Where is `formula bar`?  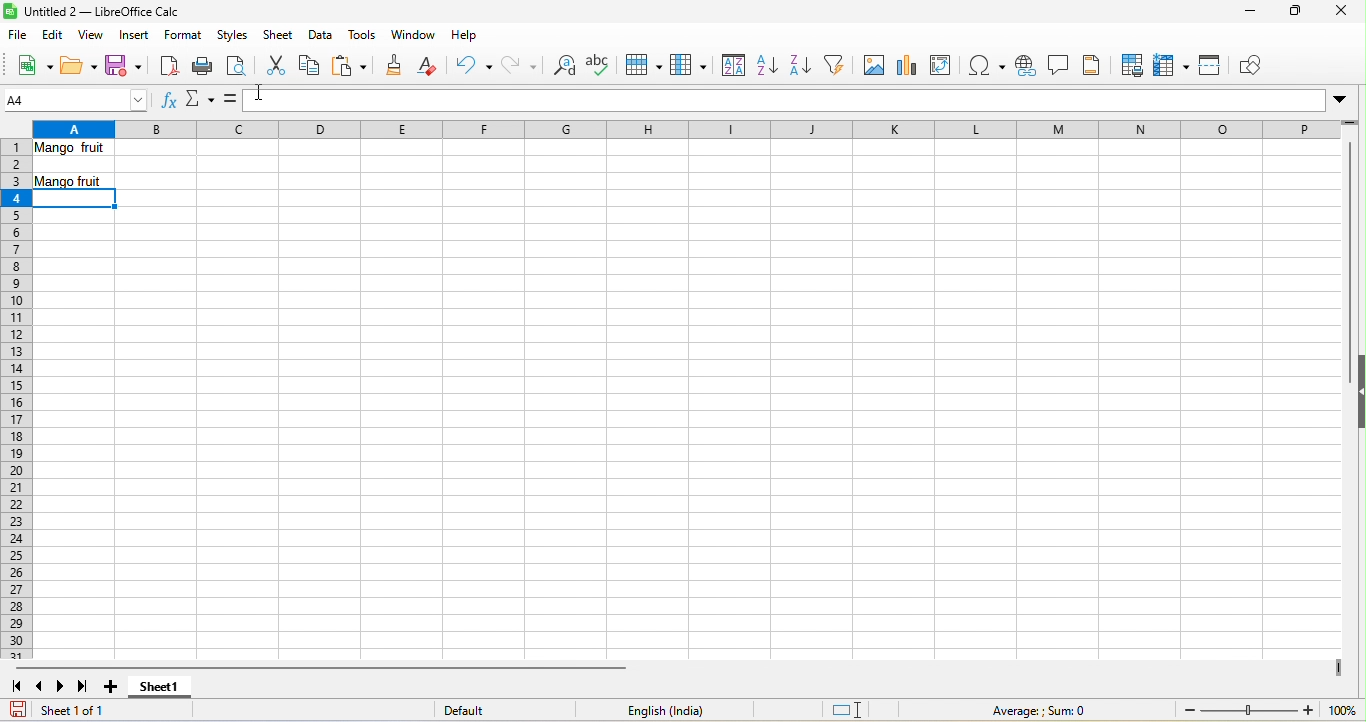 formula bar is located at coordinates (801, 101).